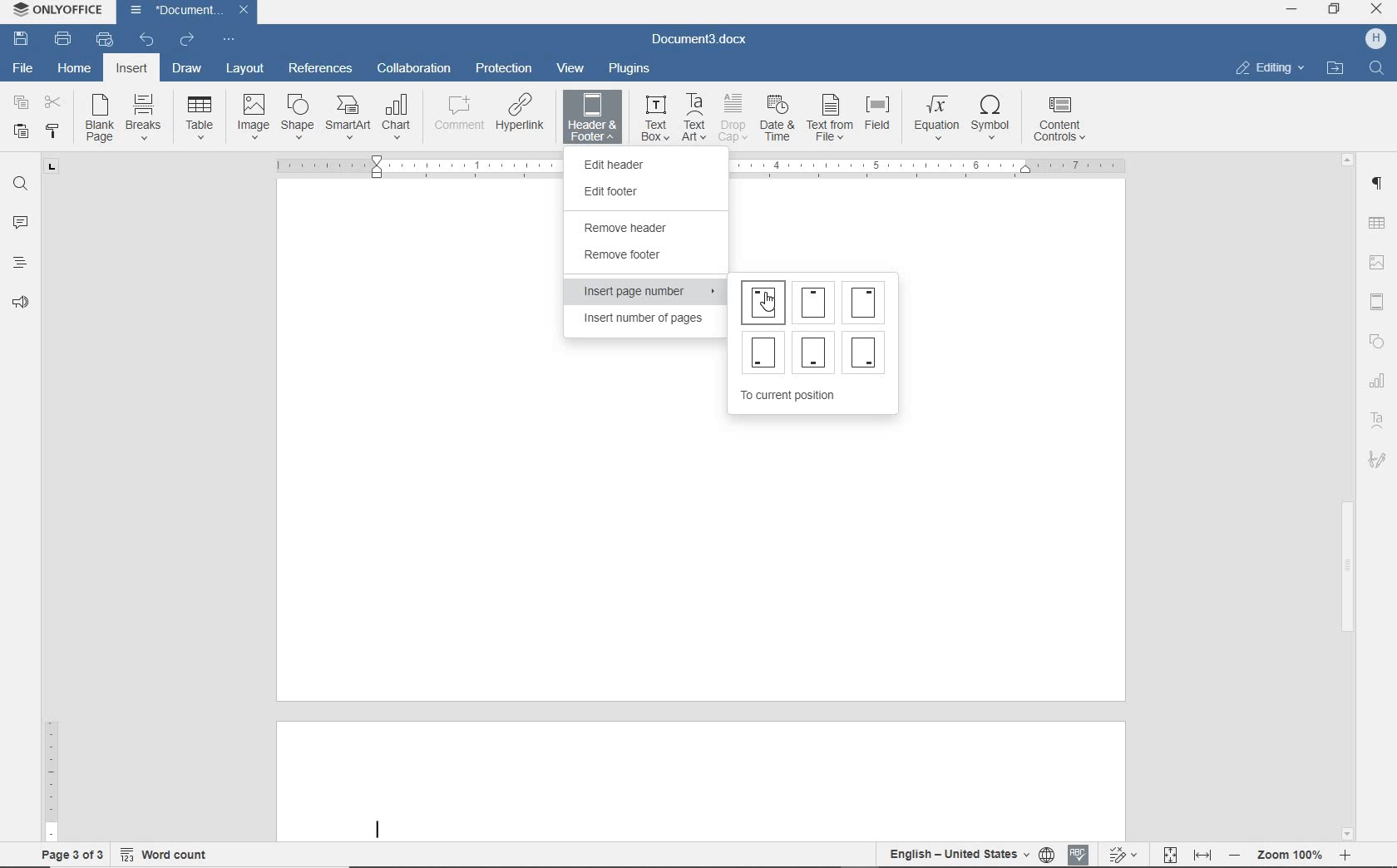 The height and width of the screenshot is (868, 1397). What do you see at coordinates (22, 303) in the screenshot?
I see `Read aloud and accessibility` at bounding box center [22, 303].